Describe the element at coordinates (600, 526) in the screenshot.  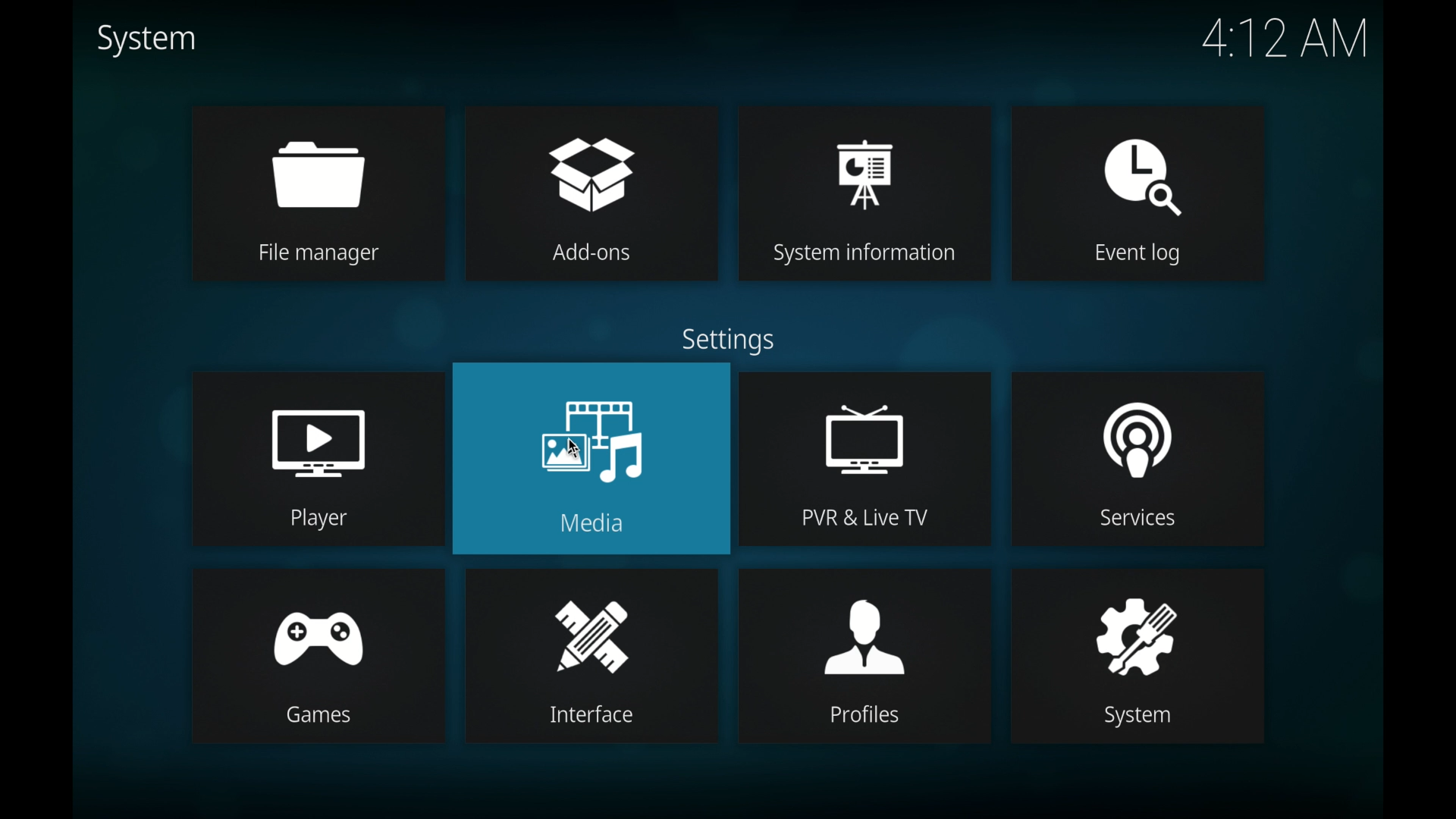
I see `Media` at that location.